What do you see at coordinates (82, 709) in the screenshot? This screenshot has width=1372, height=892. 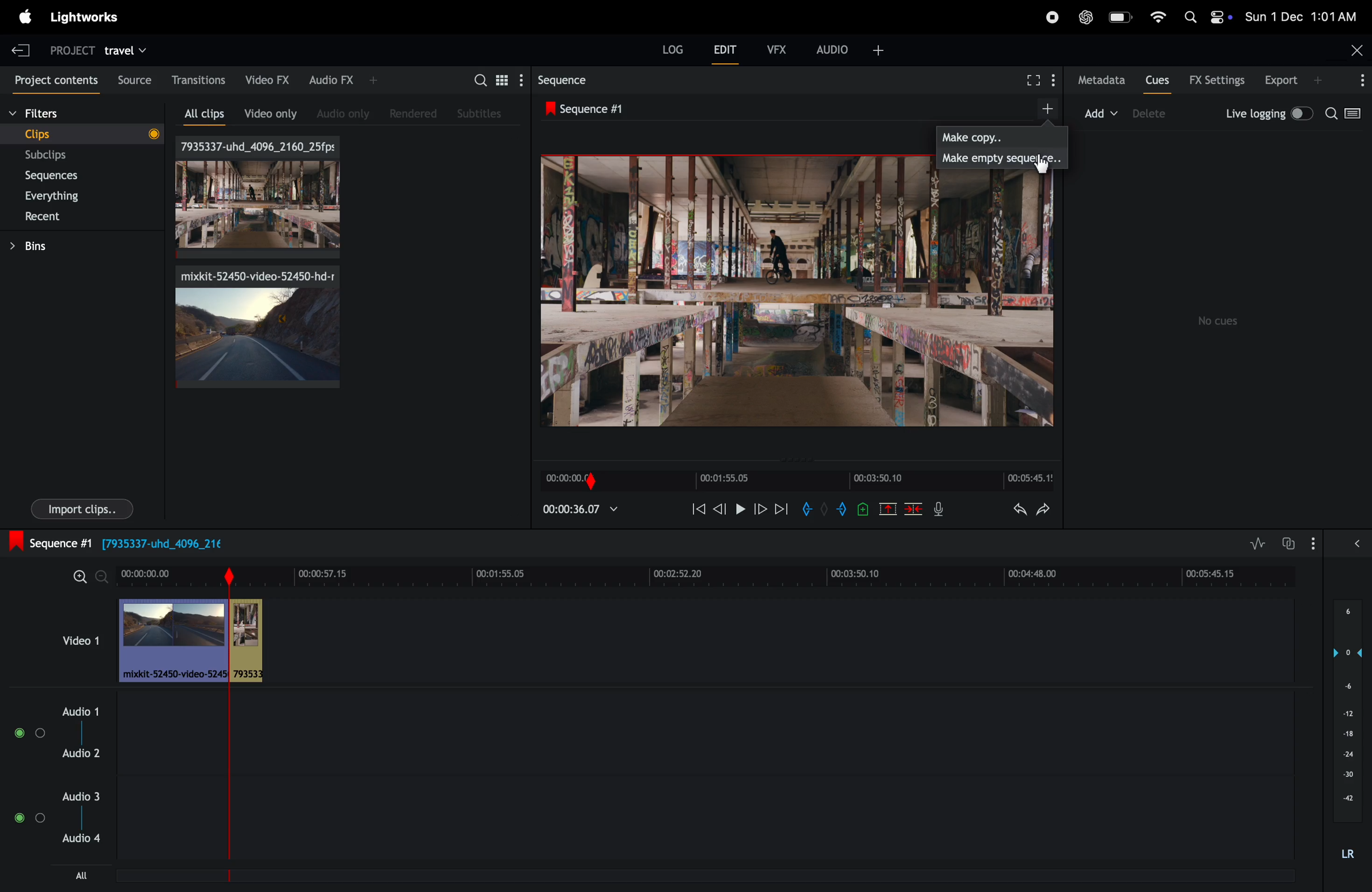 I see `Audio 1` at bounding box center [82, 709].